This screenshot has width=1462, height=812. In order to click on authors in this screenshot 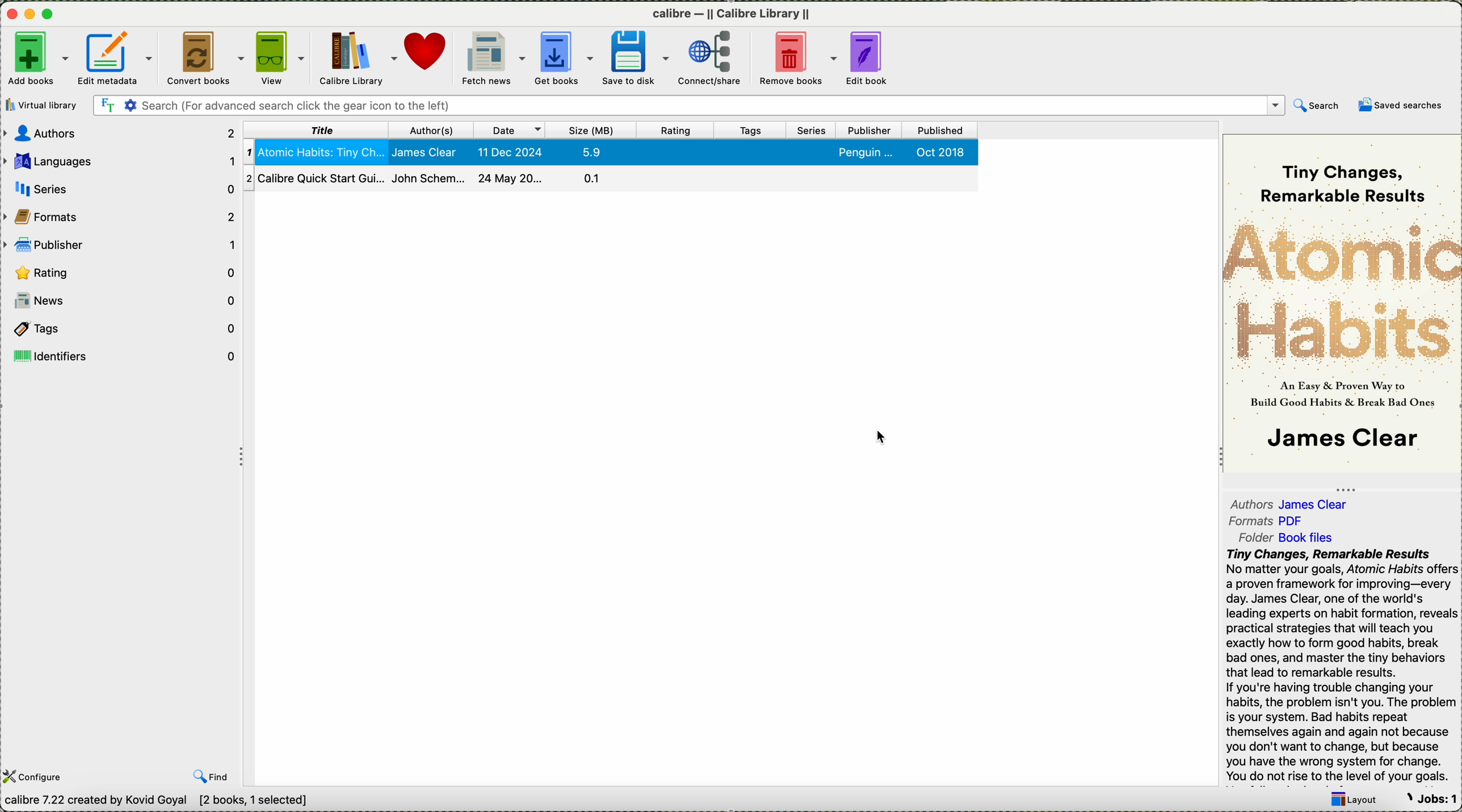, I will do `click(1293, 502)`.